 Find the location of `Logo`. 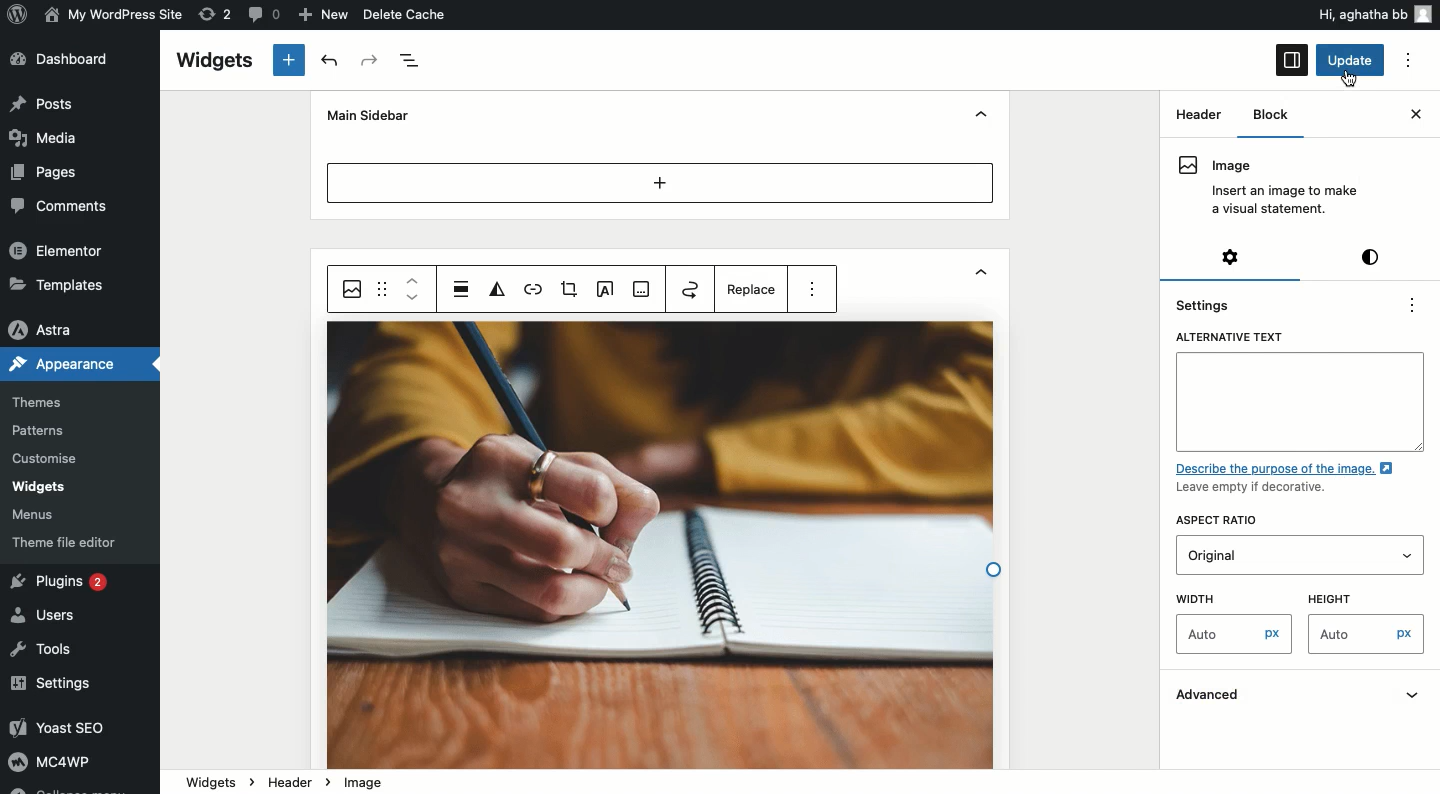

Logo is located at coordinates (19, 13).